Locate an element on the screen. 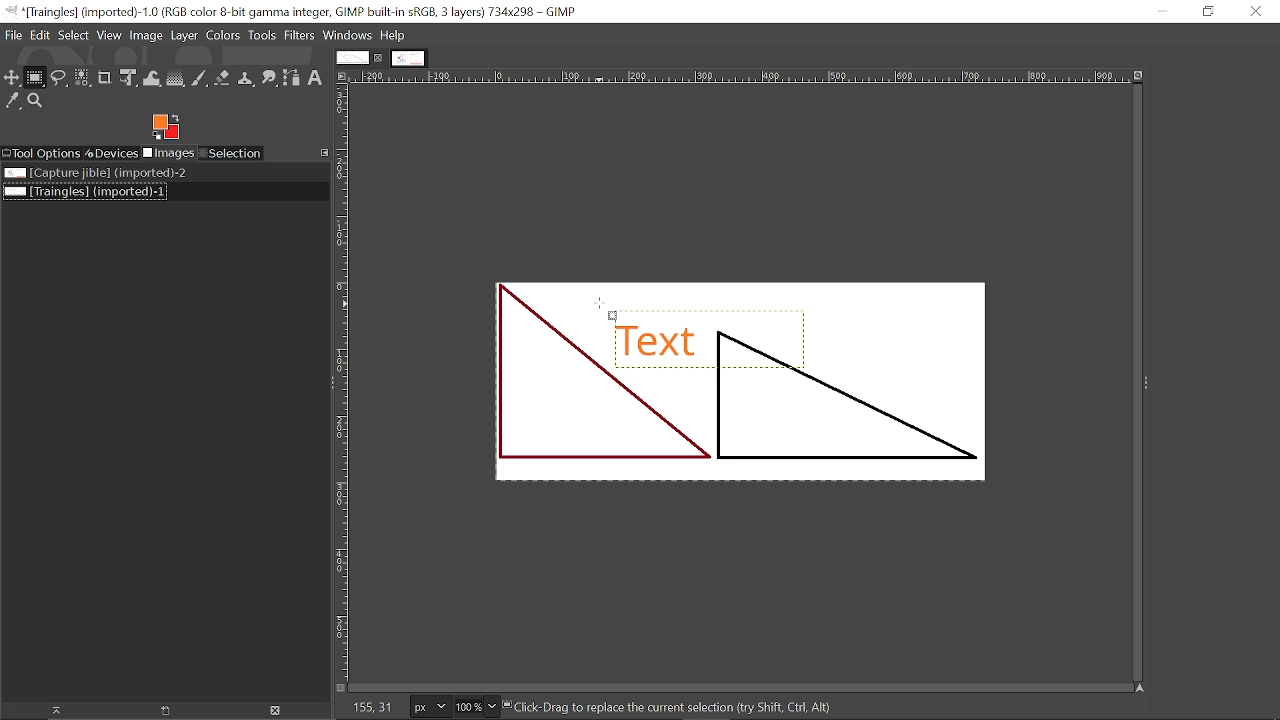  Close is located at coordinates (1254, 14).